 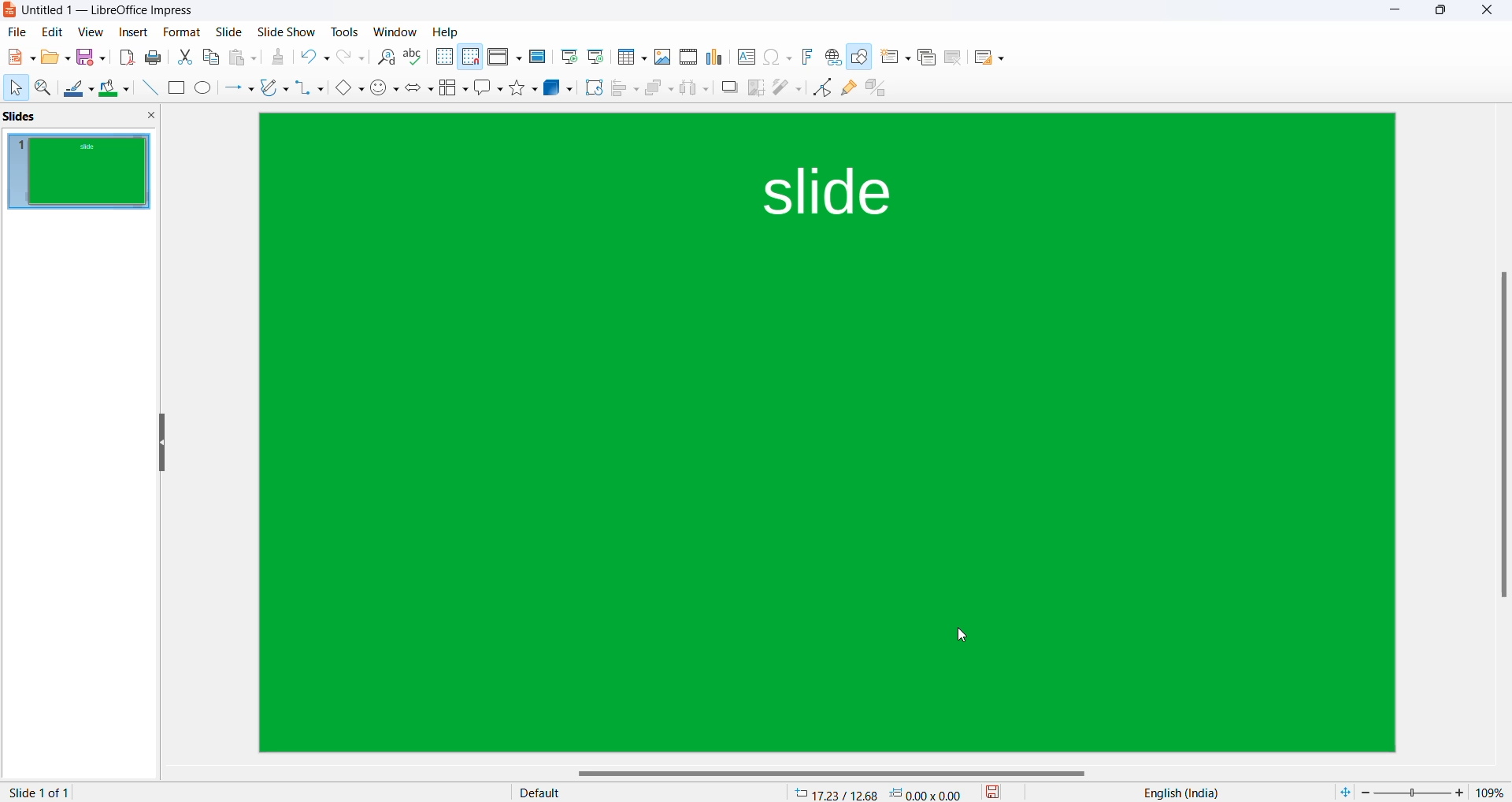 I want to click on insert, so click(x=134, y=31).